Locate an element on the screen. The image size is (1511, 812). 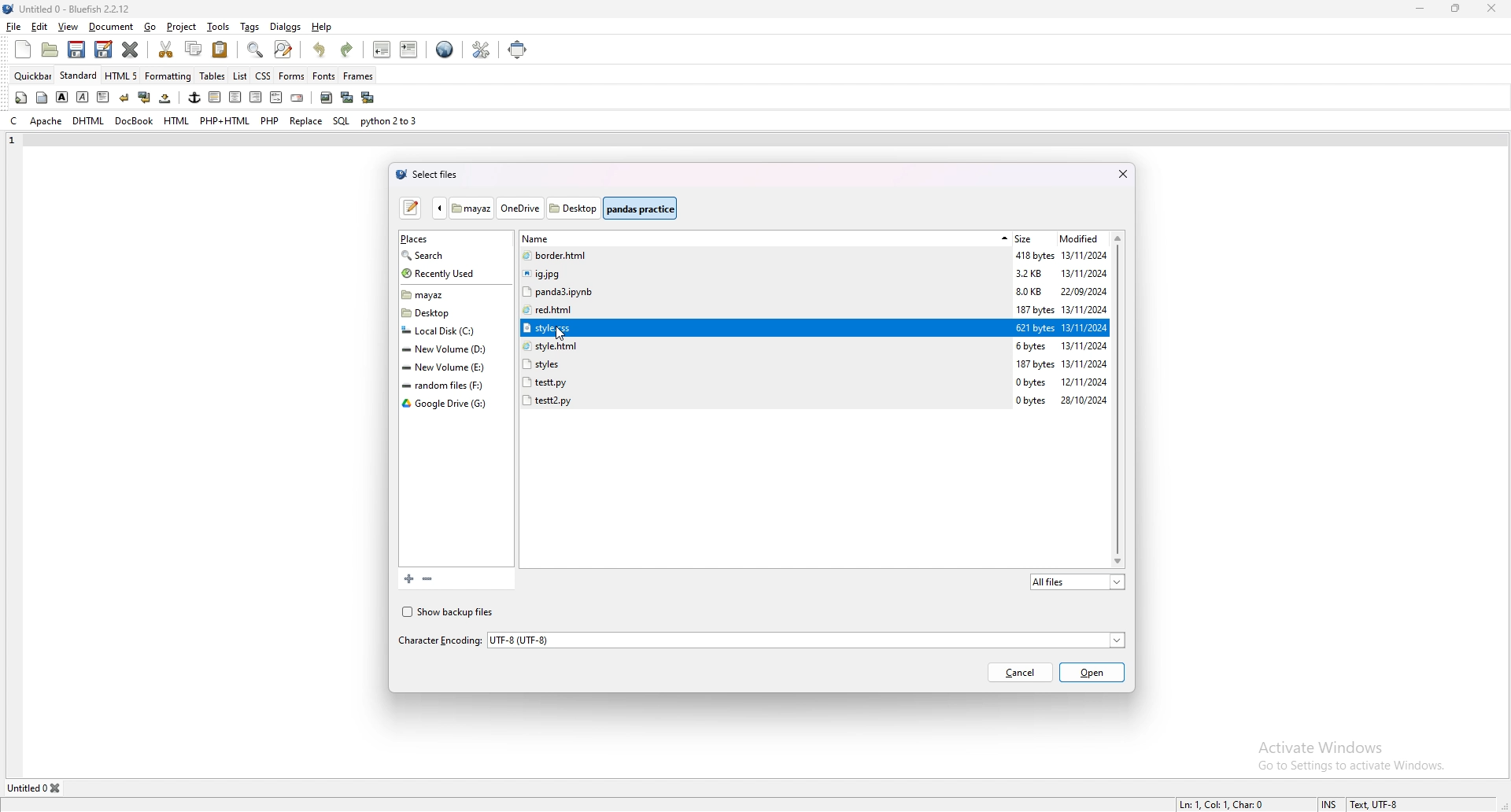
anchor is located at coordinates (194, 98).